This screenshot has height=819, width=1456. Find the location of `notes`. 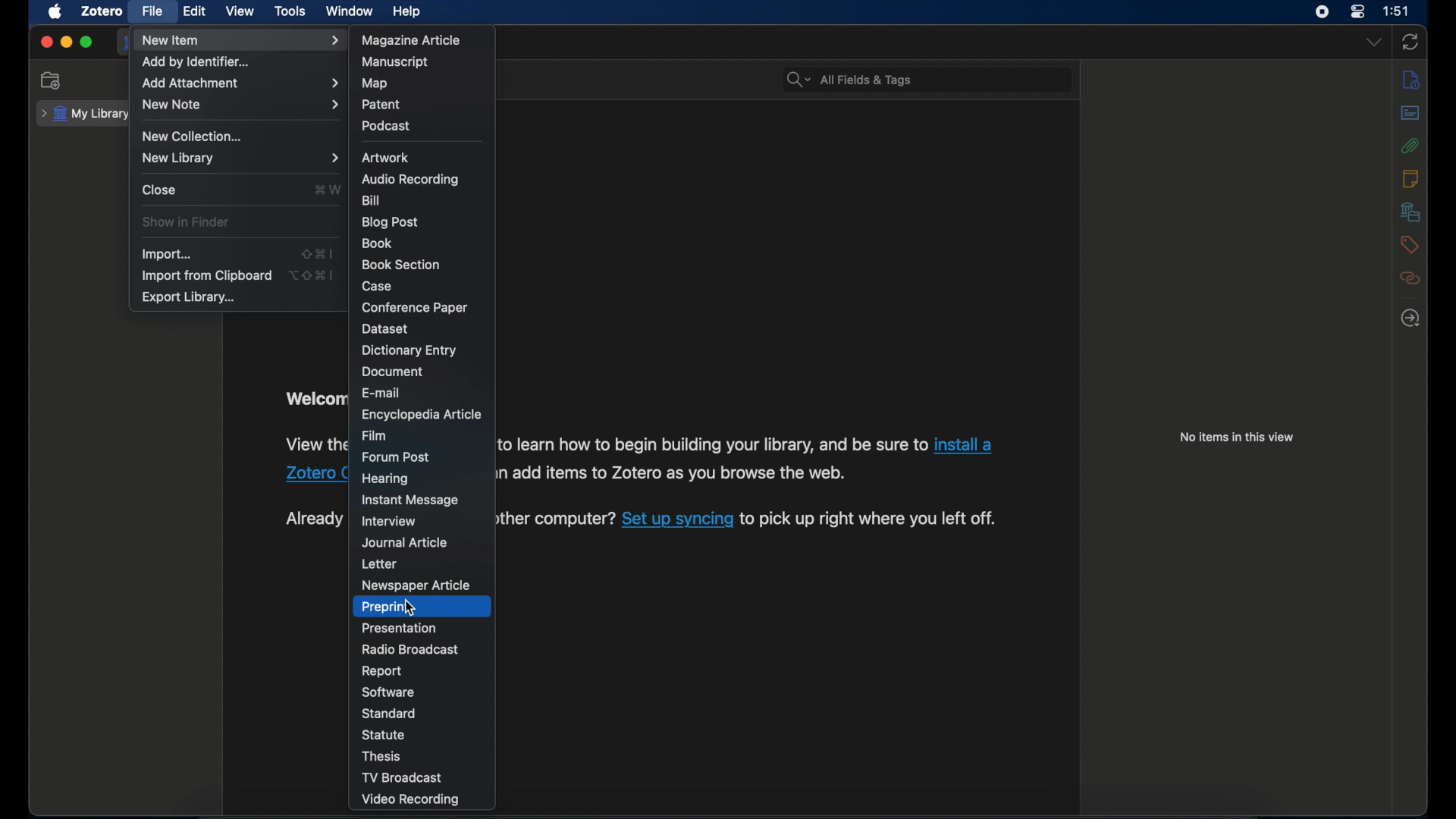

notes is located at coordinates (1411, 178).